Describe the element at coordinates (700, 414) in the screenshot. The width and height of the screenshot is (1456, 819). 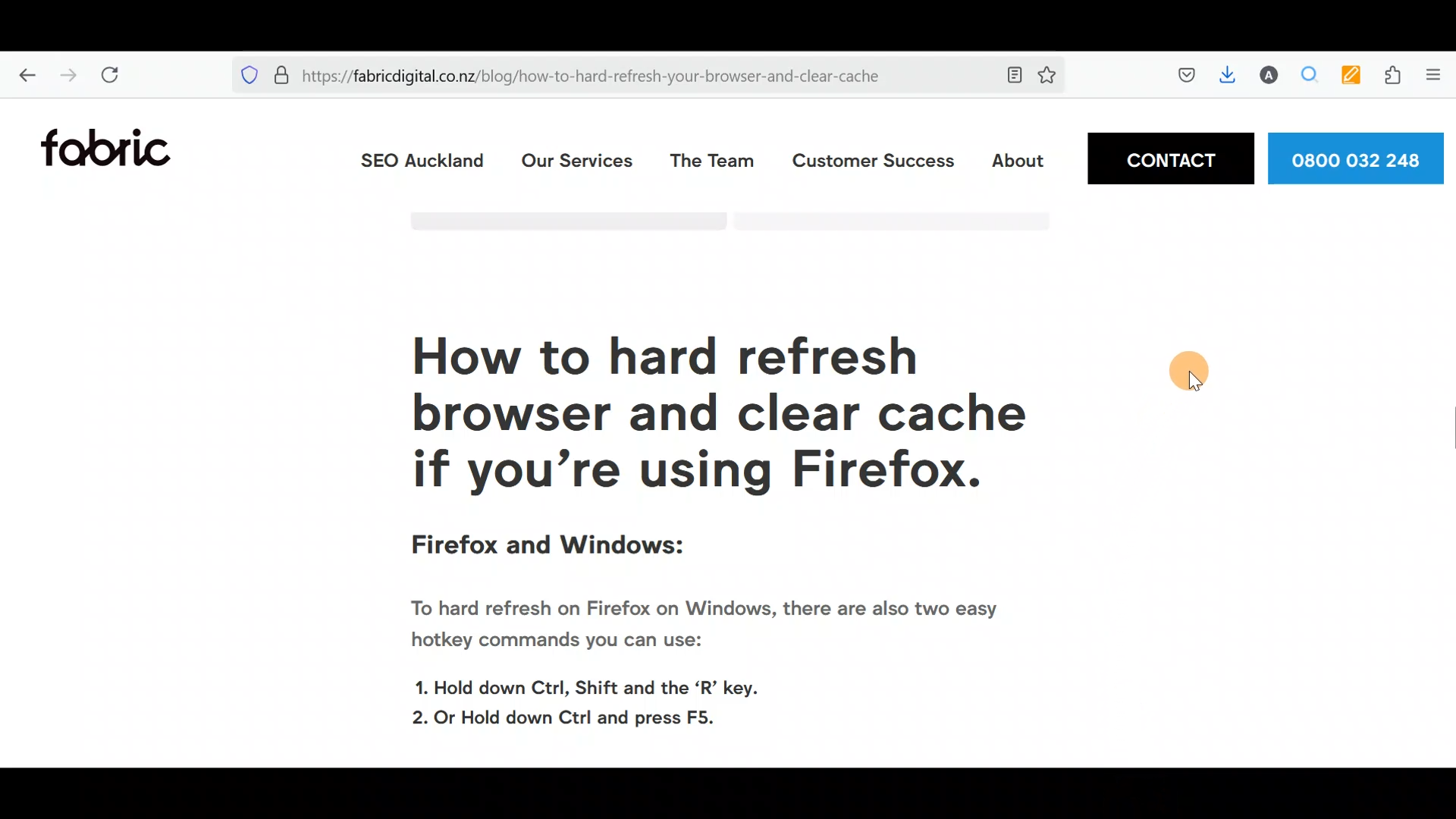
I see `How to hard refresh your browser and clear cache if you're using Firefox` at that location.